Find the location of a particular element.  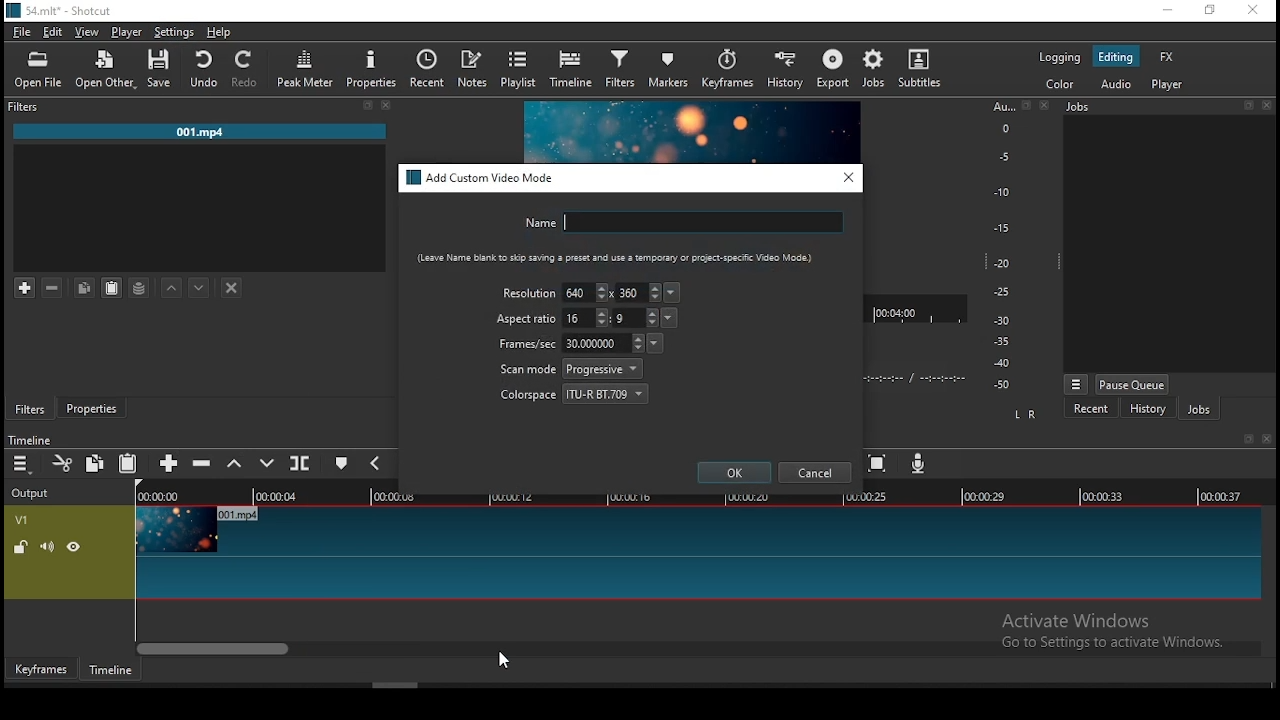

00:00:12 is located at coordinates (515, 496).